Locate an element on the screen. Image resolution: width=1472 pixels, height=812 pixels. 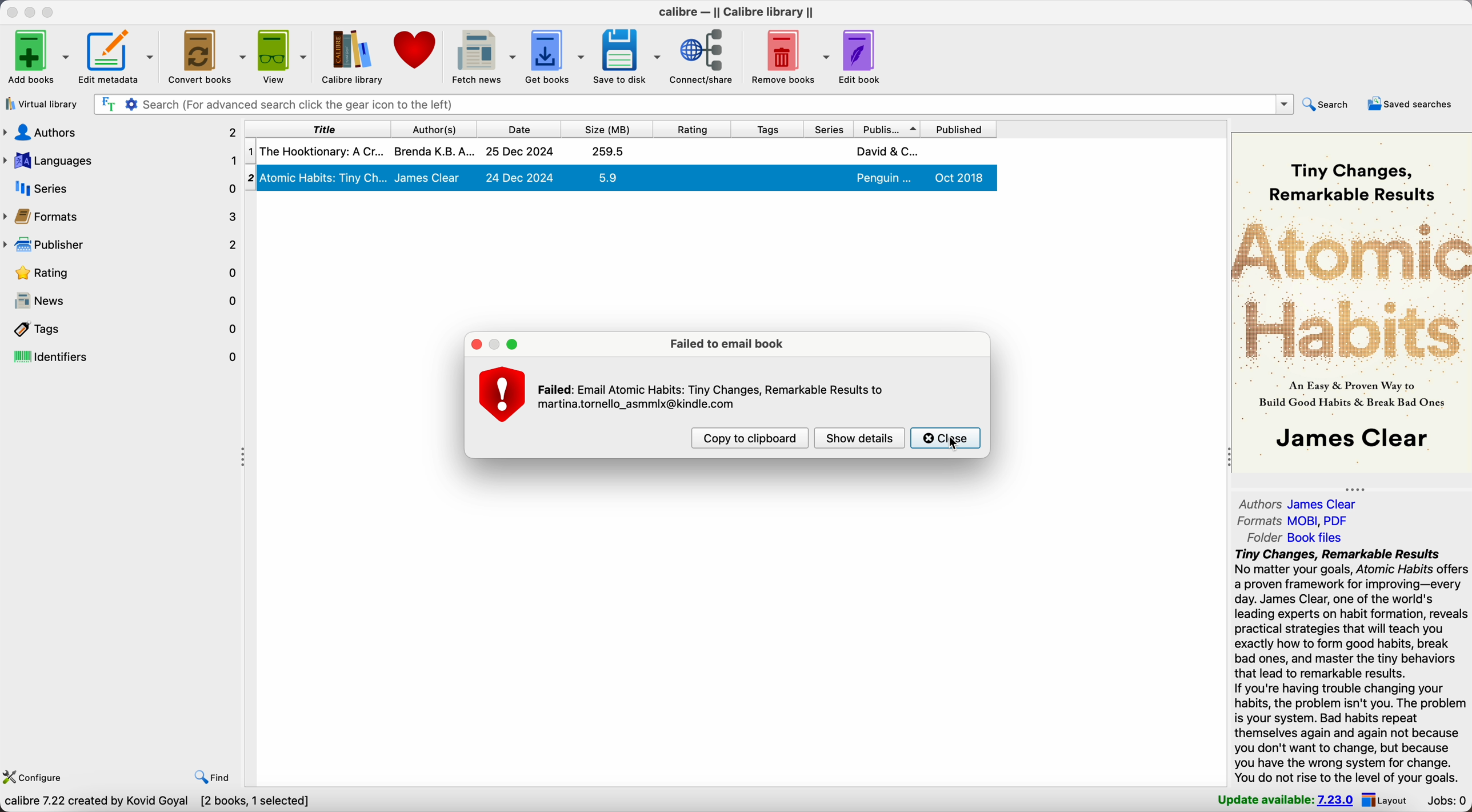
convert books is located at coordinates (208, 57).